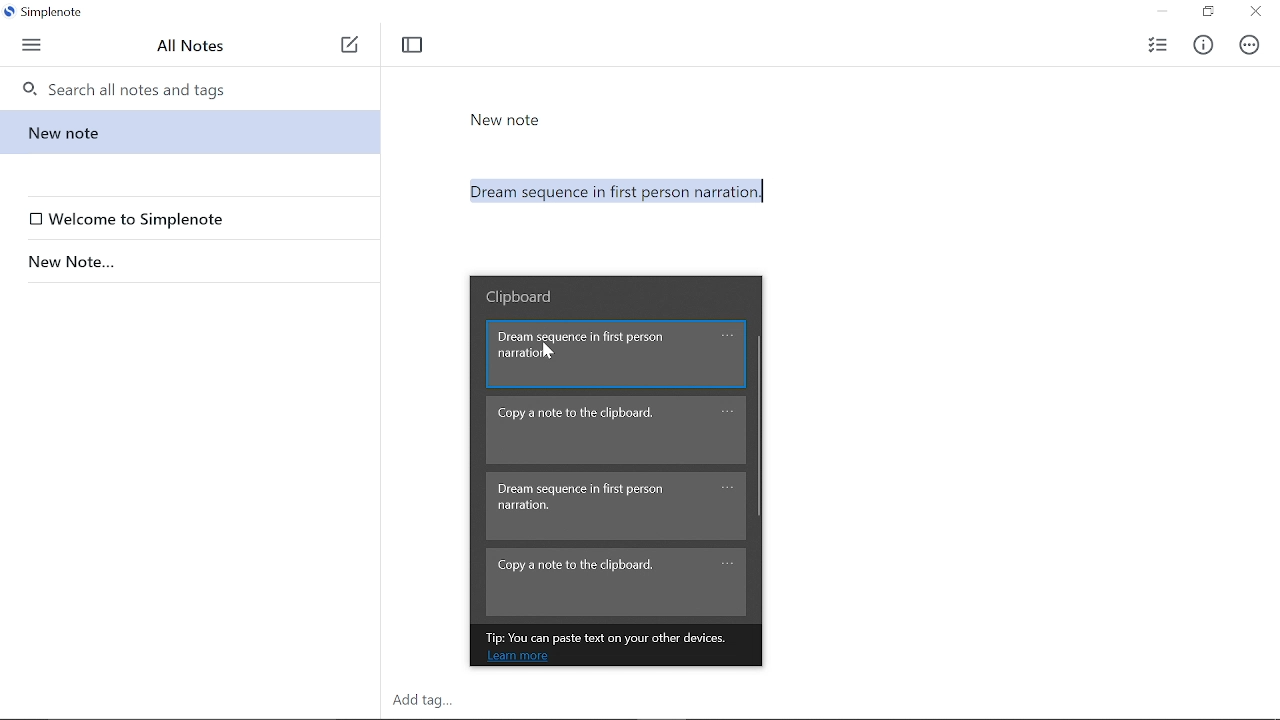  What do you see at coordinates (1207, 13) in the screenshot?
I see `Restore down` at bounding box center [1207, 13].